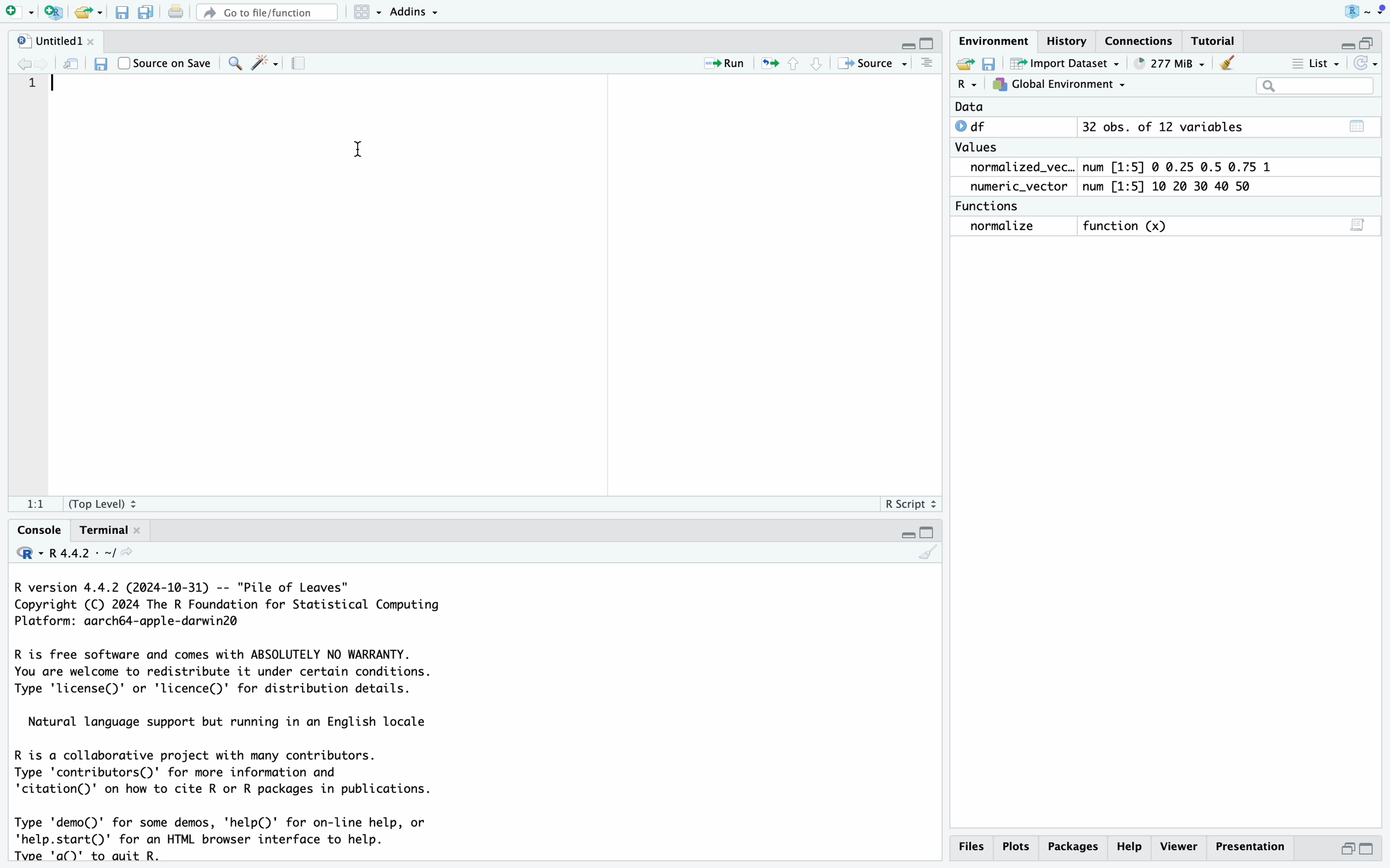 The image size is (1390, 868). Describe the element at coordinates (980, 149) in the screenshot. I see `Values` at that location.